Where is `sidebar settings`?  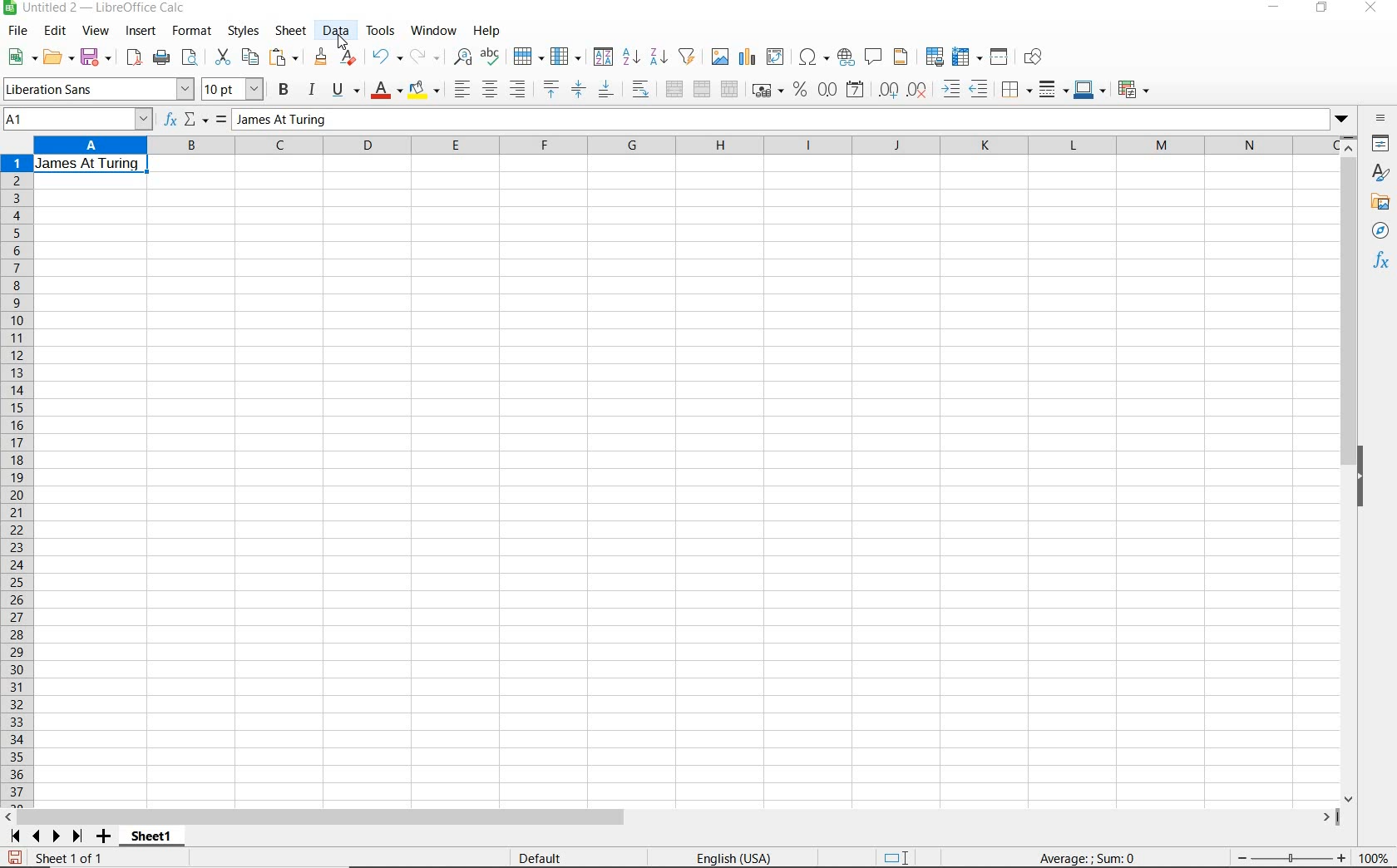 sidebar settings is located at coordinates (1380, 118).